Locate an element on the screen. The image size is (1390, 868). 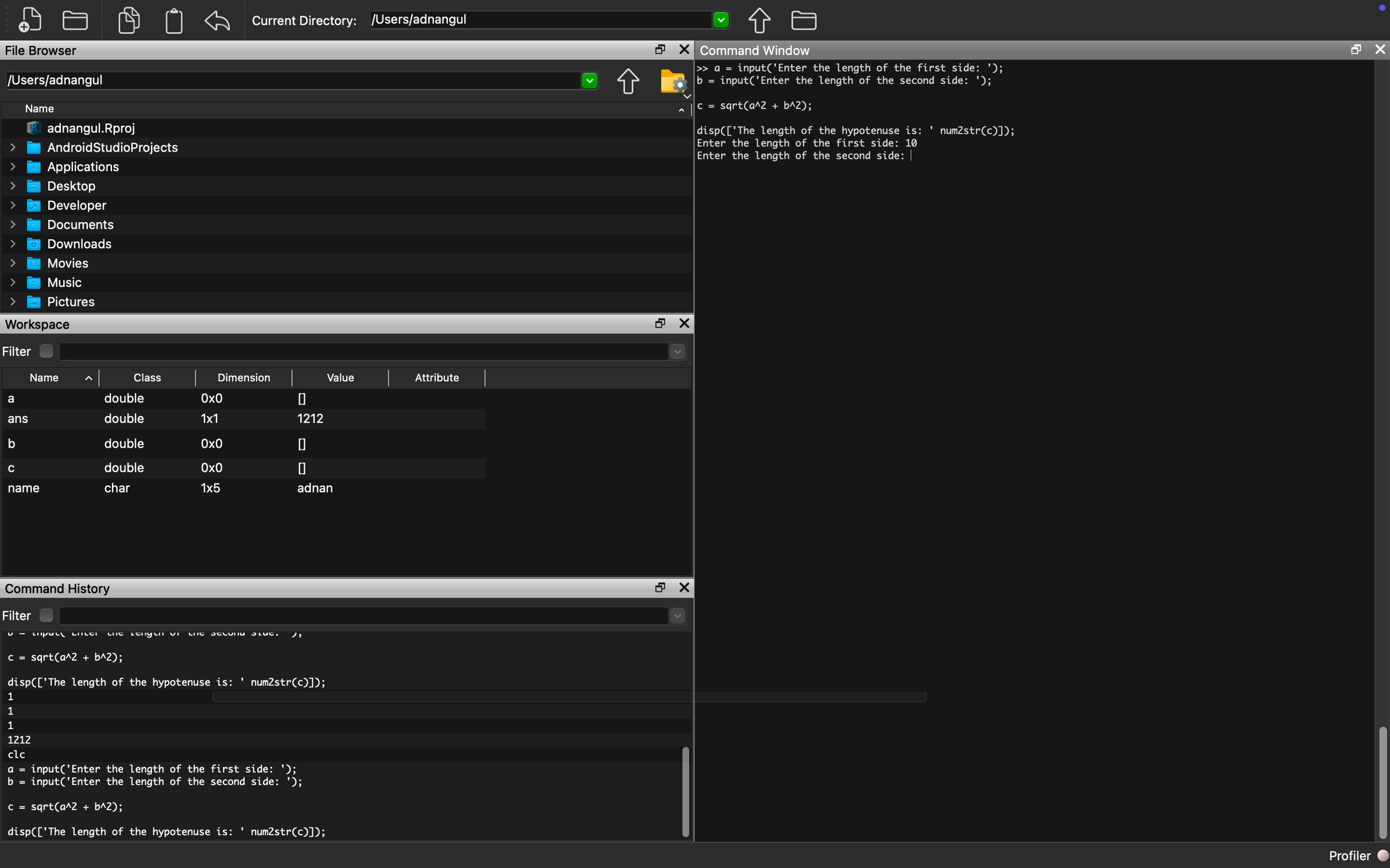
icon is located at coordinates (1377, 13).